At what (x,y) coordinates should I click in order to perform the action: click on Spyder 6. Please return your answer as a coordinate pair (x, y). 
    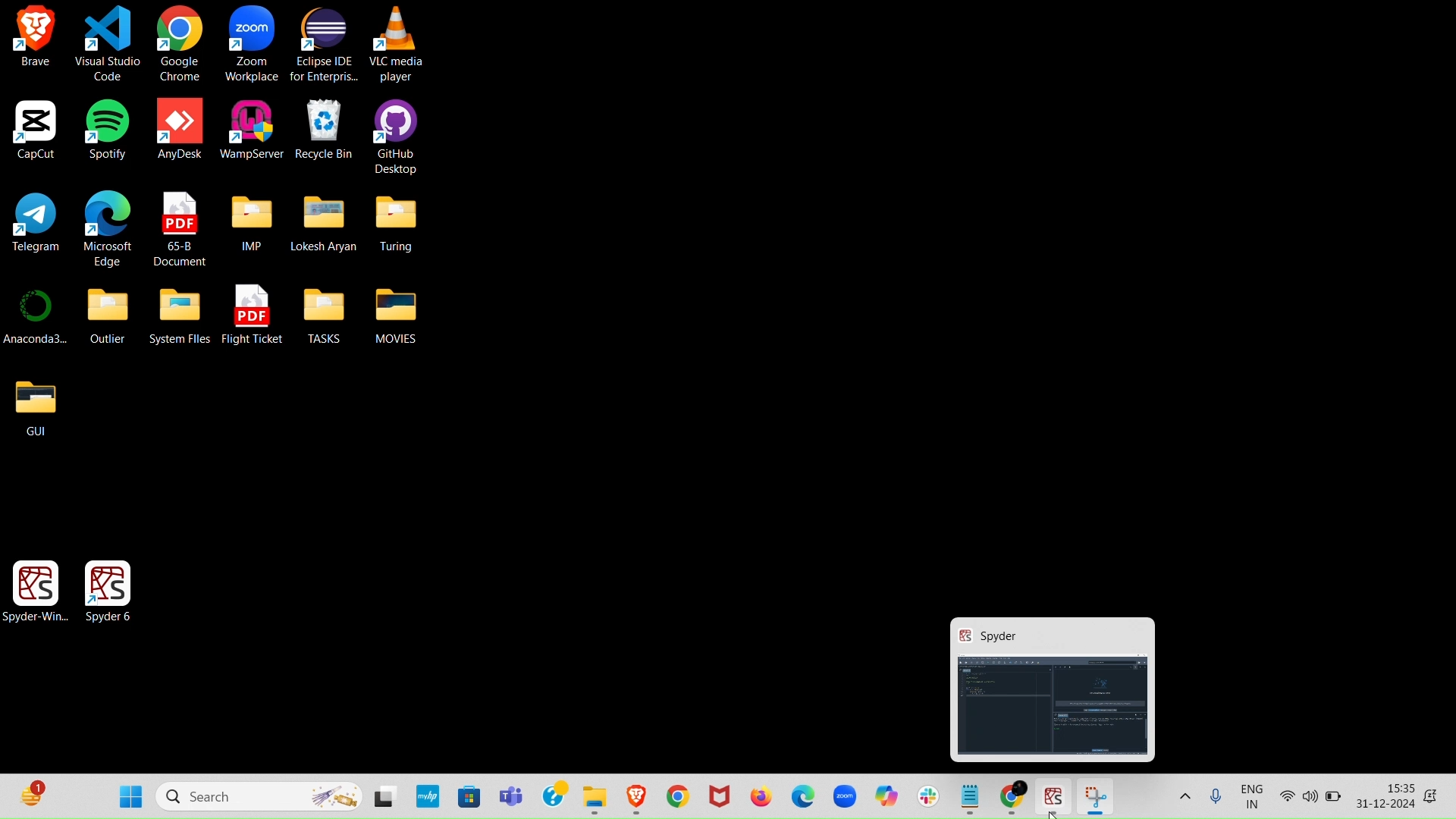
    Looking at the image, I should click on (112, 588).